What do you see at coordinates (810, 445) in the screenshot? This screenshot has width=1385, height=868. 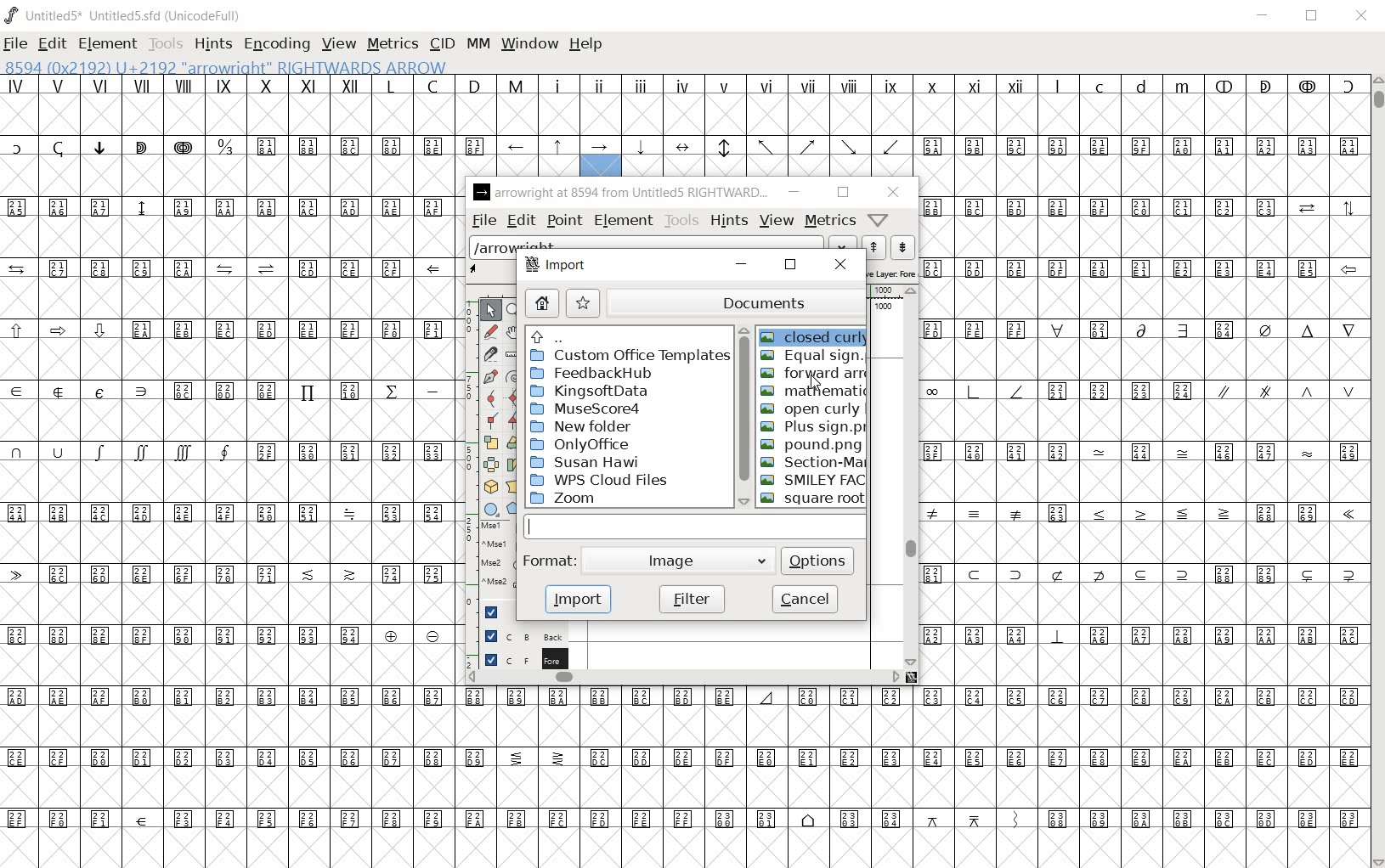 I see `pound.png` at bounding box center [810, 445].